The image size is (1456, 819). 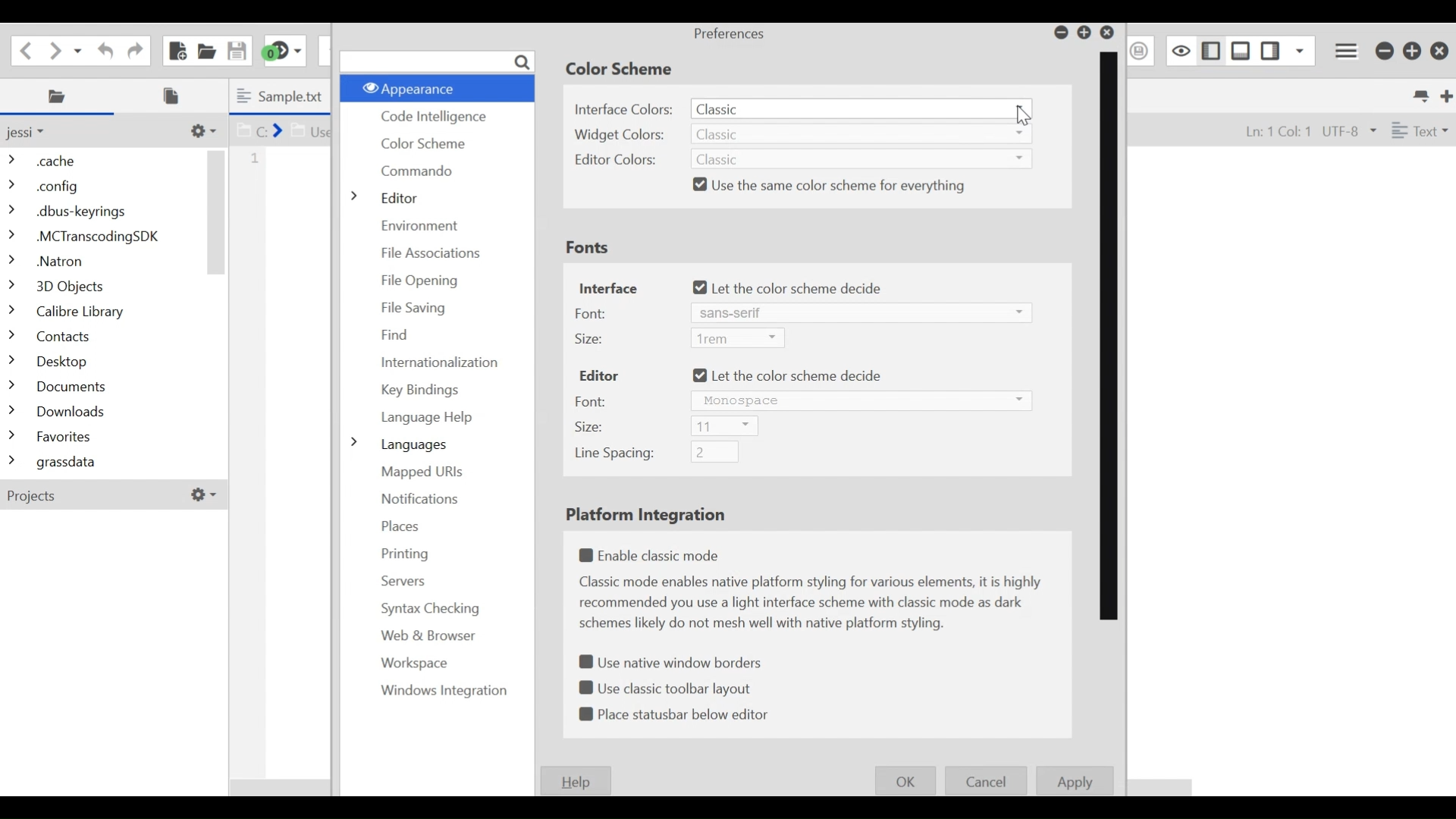 What do you see at coordinates (588, 249) in the screenshot?
I see `Fonts` at bounding box center [588, 249].